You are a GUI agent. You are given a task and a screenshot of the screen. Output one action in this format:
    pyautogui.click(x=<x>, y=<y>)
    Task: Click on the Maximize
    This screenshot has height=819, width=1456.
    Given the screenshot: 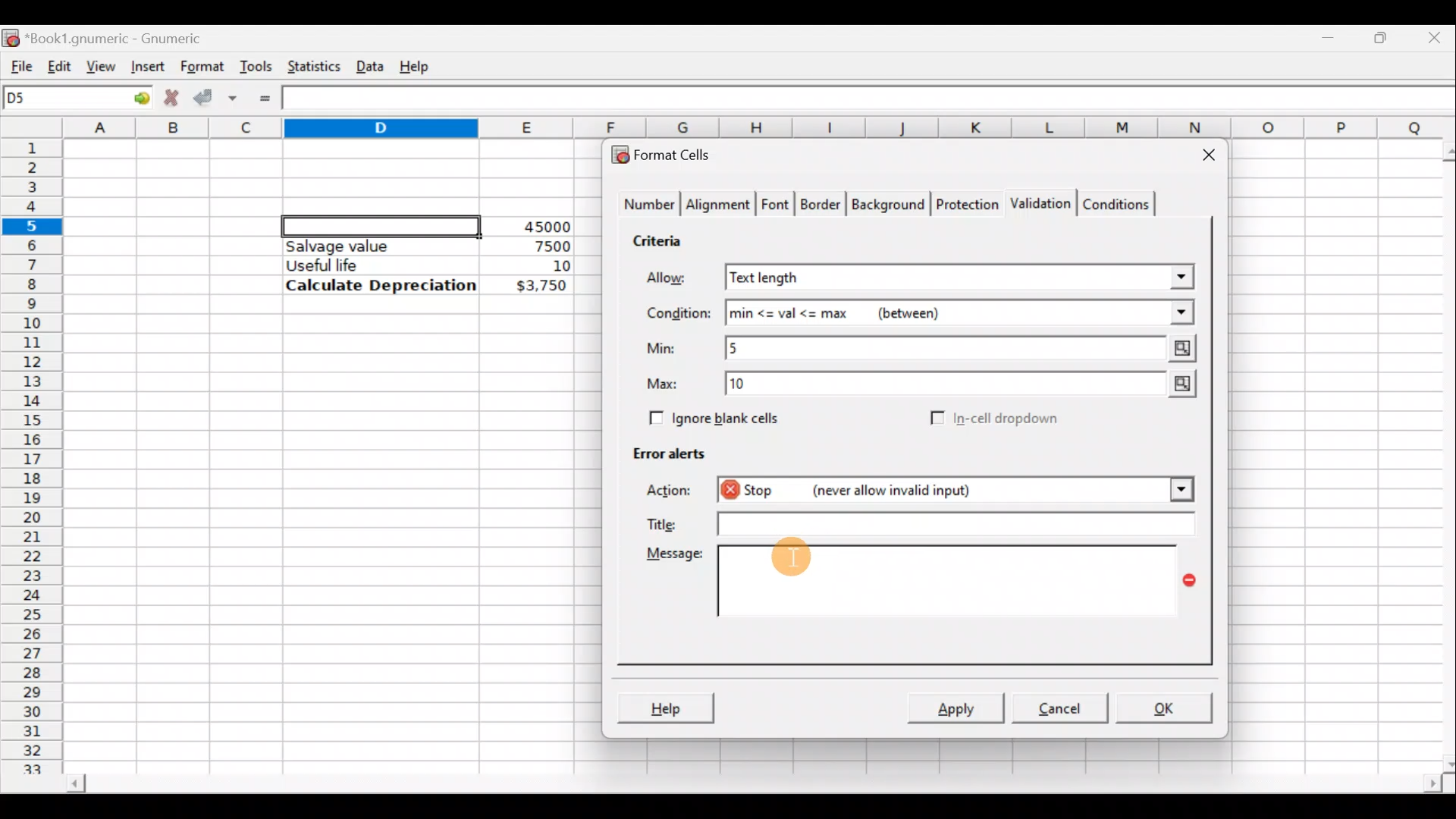 What is the action you would take?
    pyautogui.click(x=1384, y=35)
    